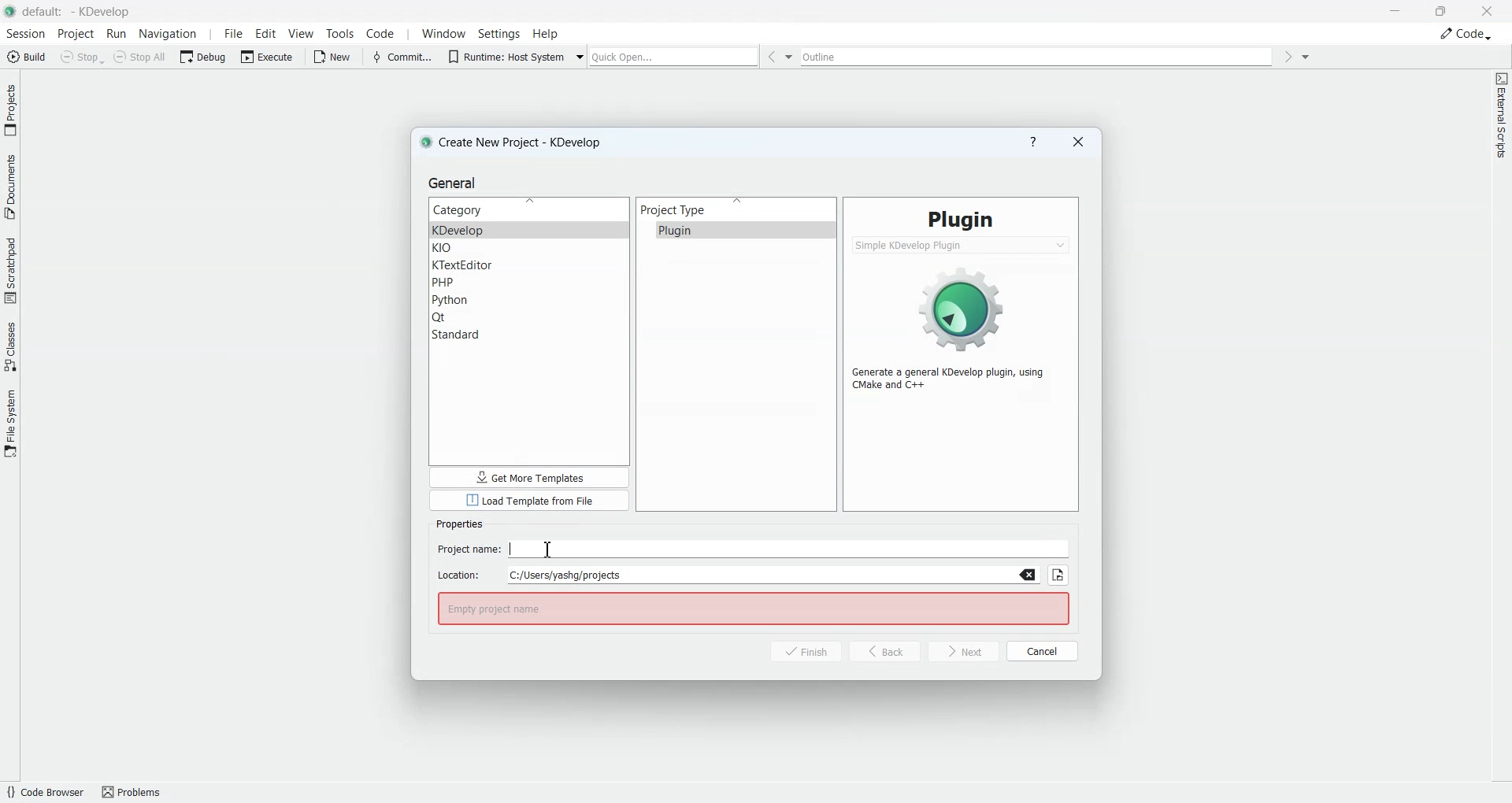  Describe the element at coordinates (770, 57) in the screenshot. I see `Go back` at that location.